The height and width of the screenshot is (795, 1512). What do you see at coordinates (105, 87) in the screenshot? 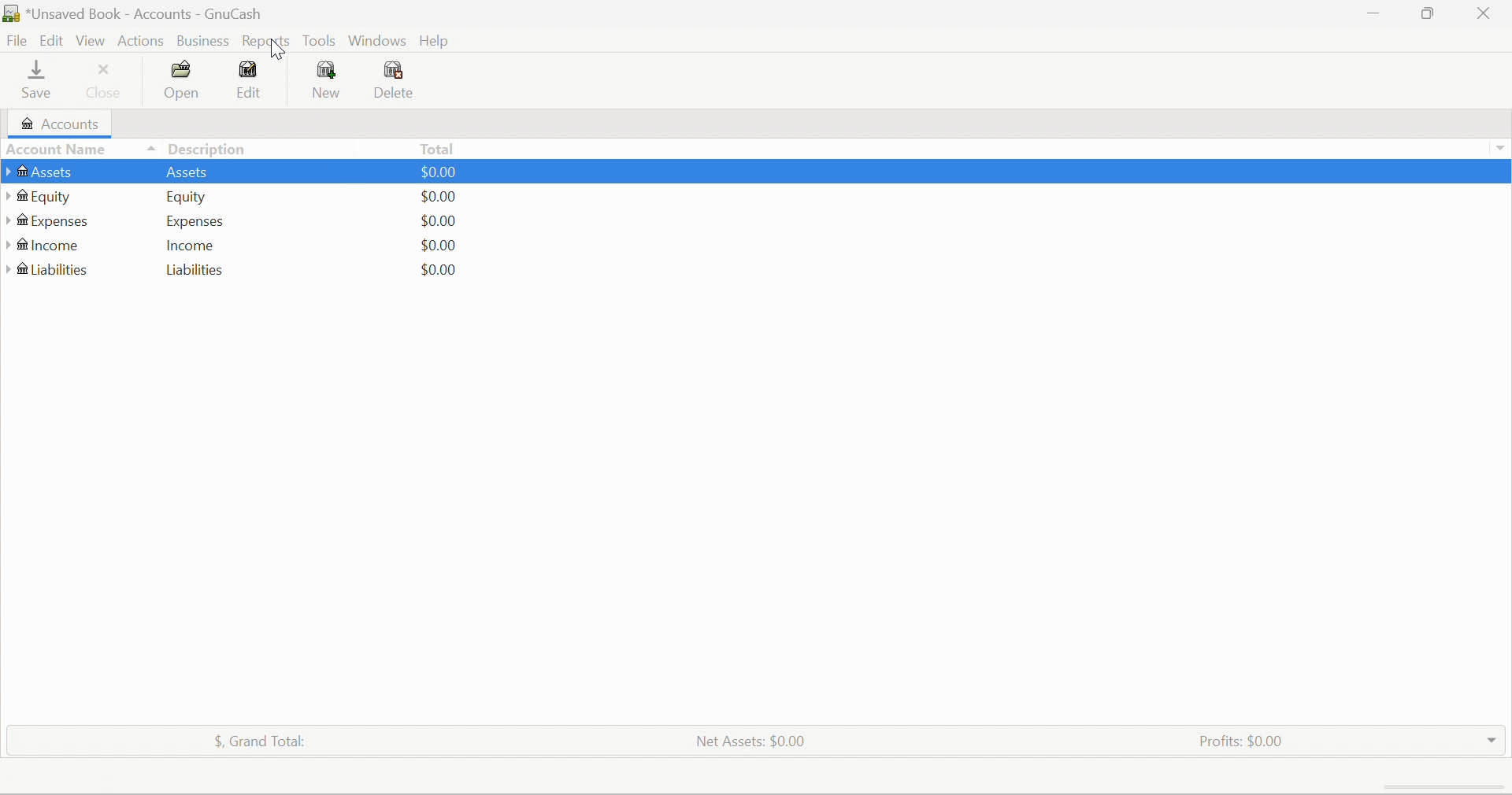
I see `Close` at bounding box center [105, 87].